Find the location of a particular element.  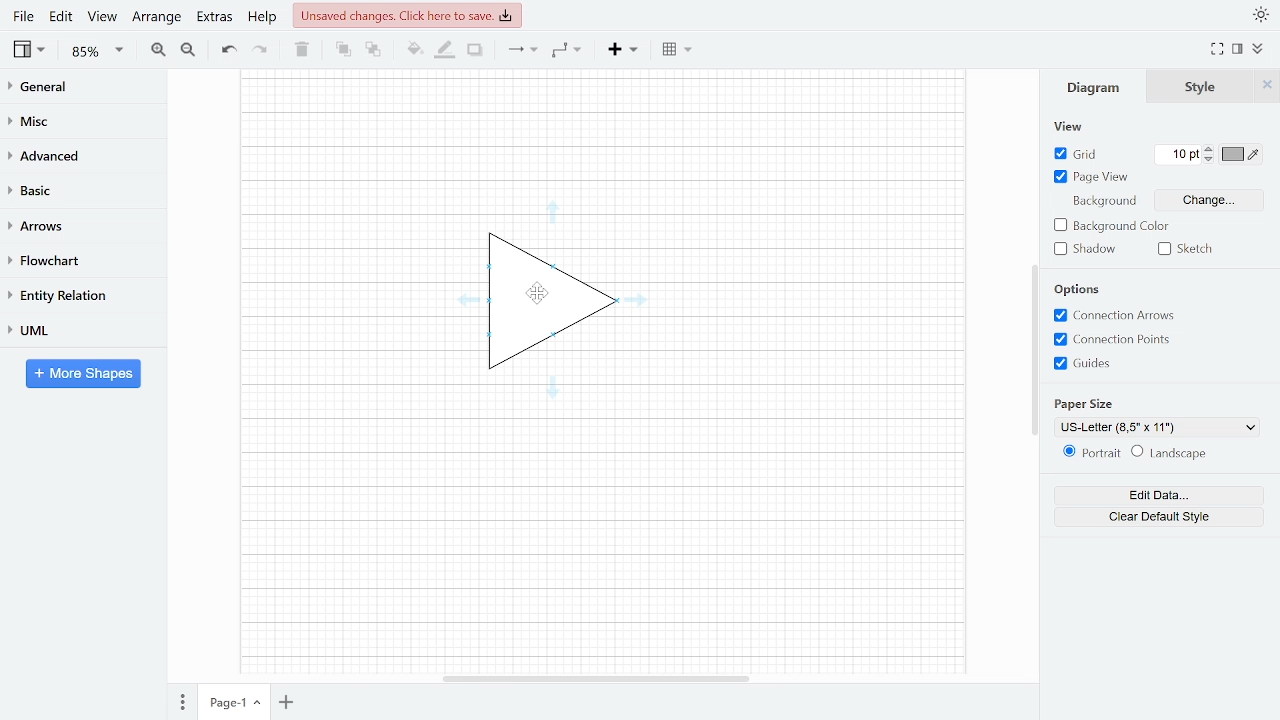

workspace is located at coordinates (601, 535).